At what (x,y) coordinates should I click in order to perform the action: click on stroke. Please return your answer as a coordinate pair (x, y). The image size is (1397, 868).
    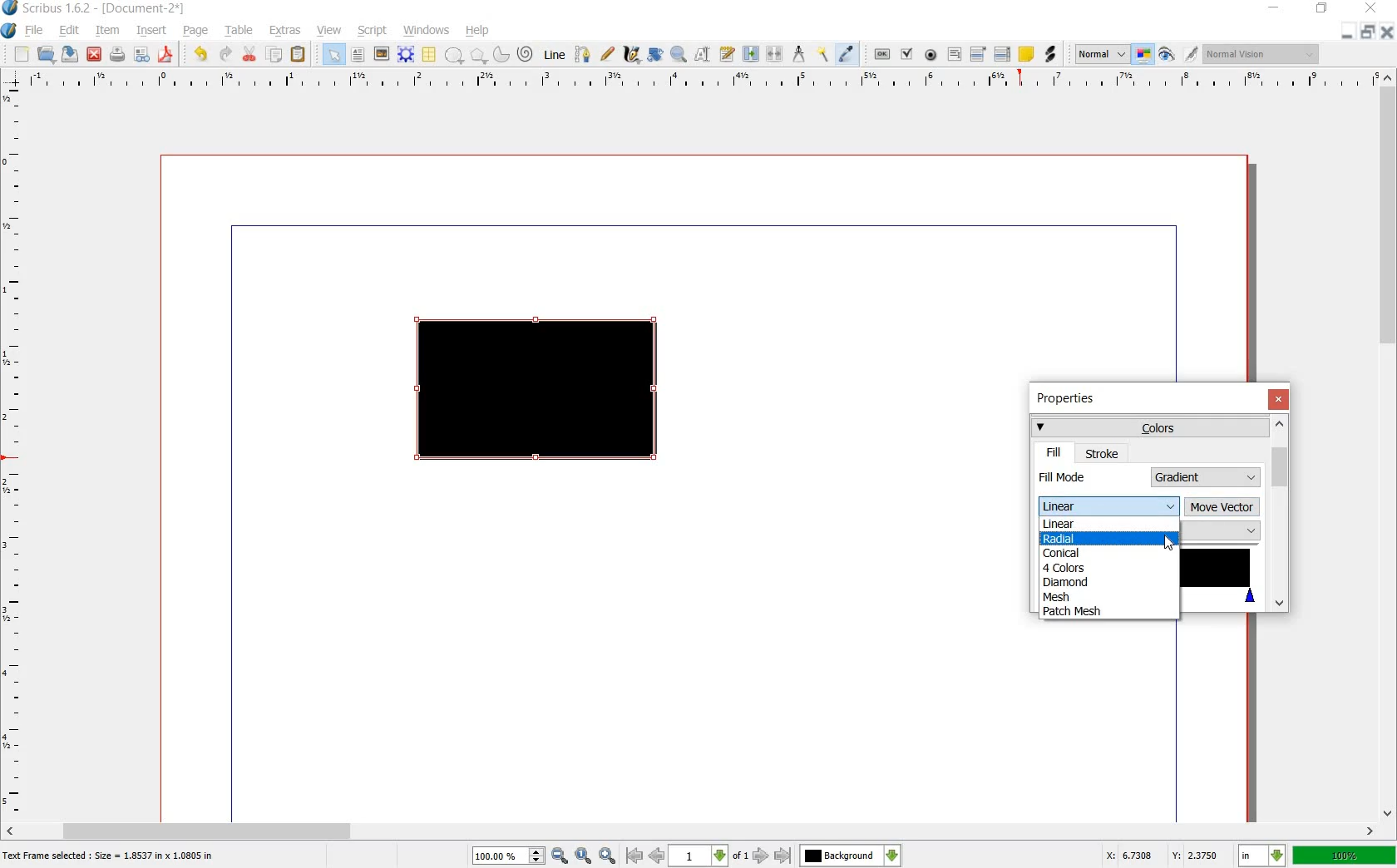
    Looking at the image, I should click on (1103, 453).